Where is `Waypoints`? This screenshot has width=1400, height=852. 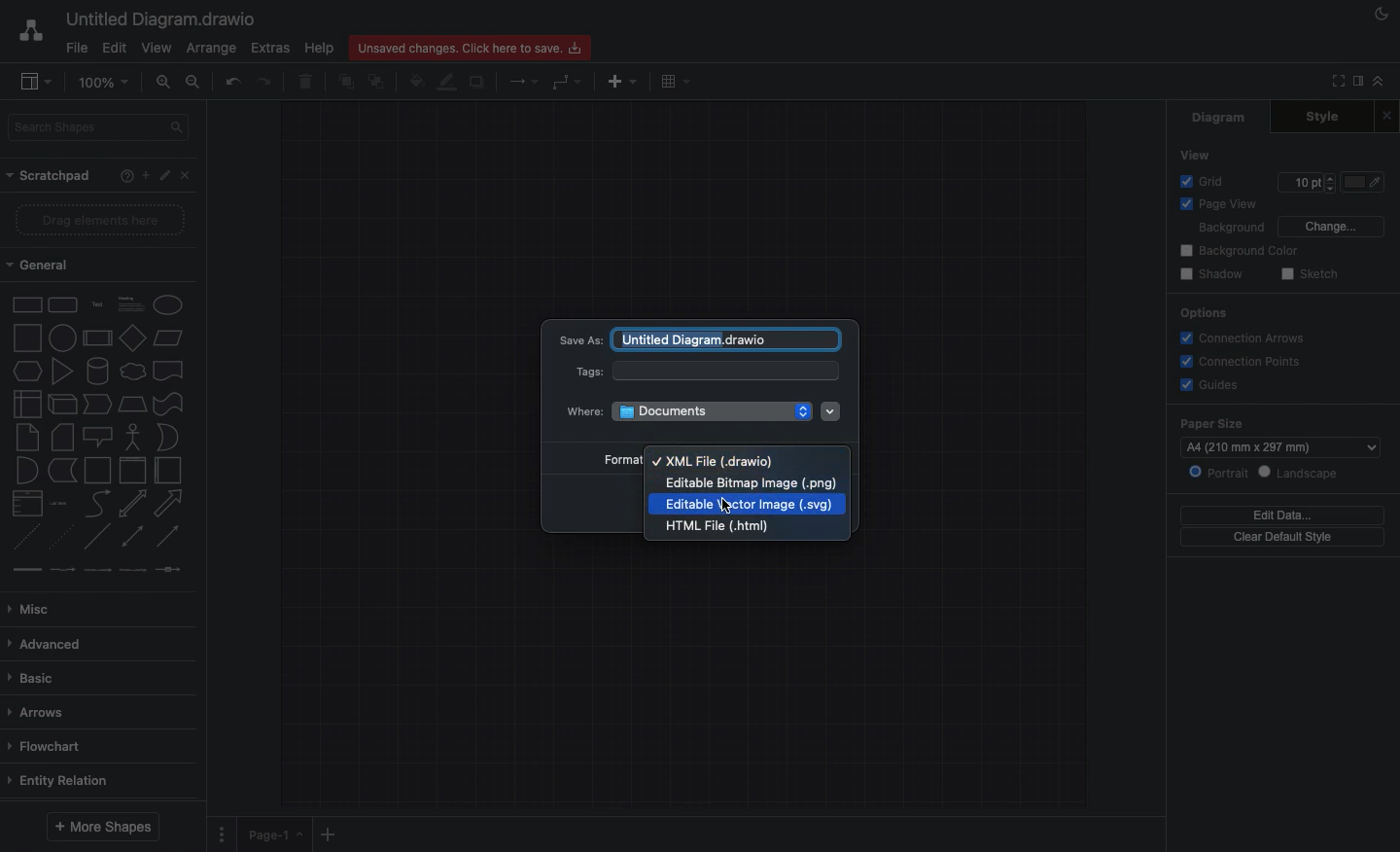 Waypoints is located at coordinates (567, 83).